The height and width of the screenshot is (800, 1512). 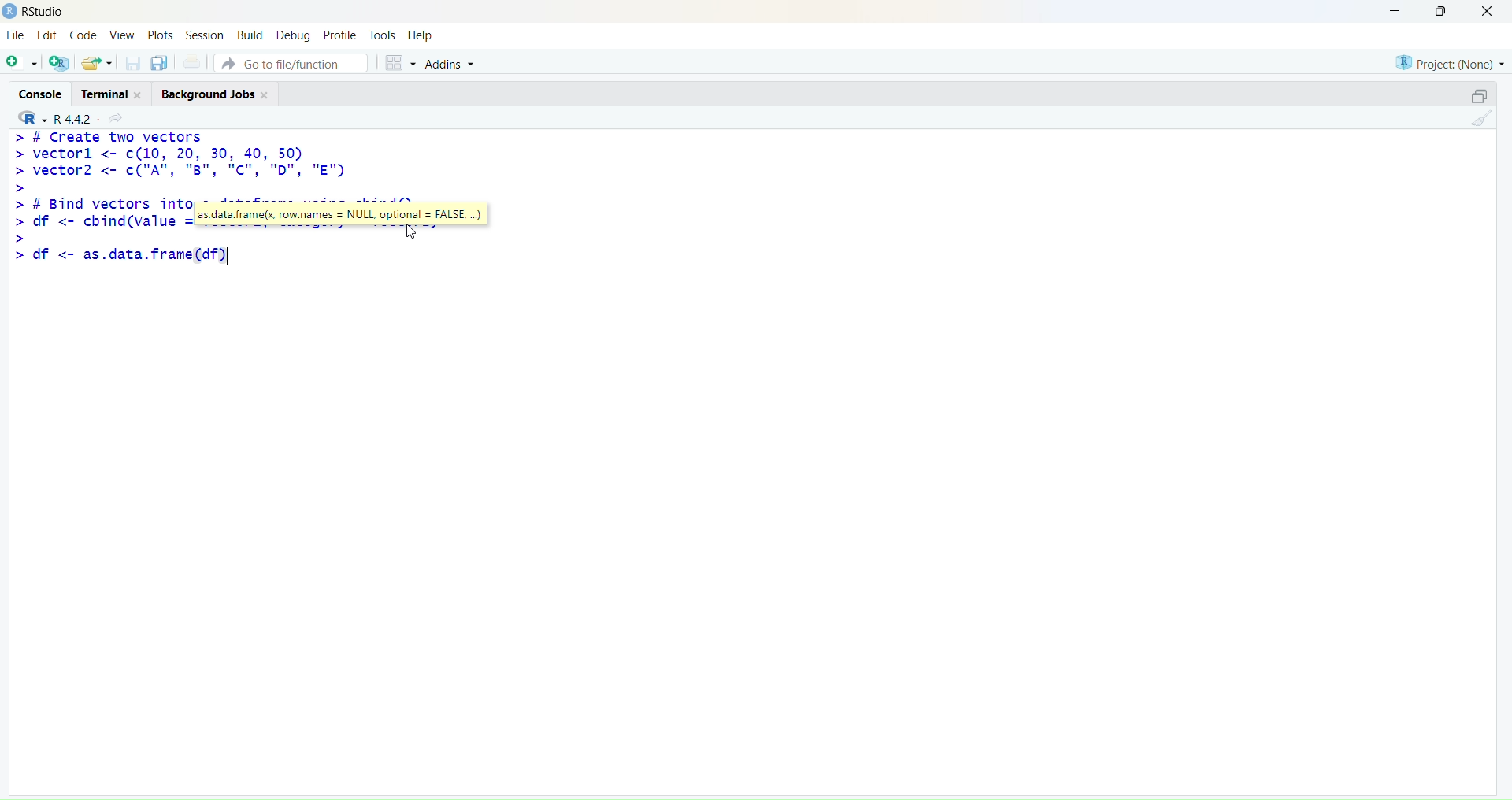 What do you see at coordinates (295, 35) in the screenshot?
I see `Debug` at bounding box center [295, 35].